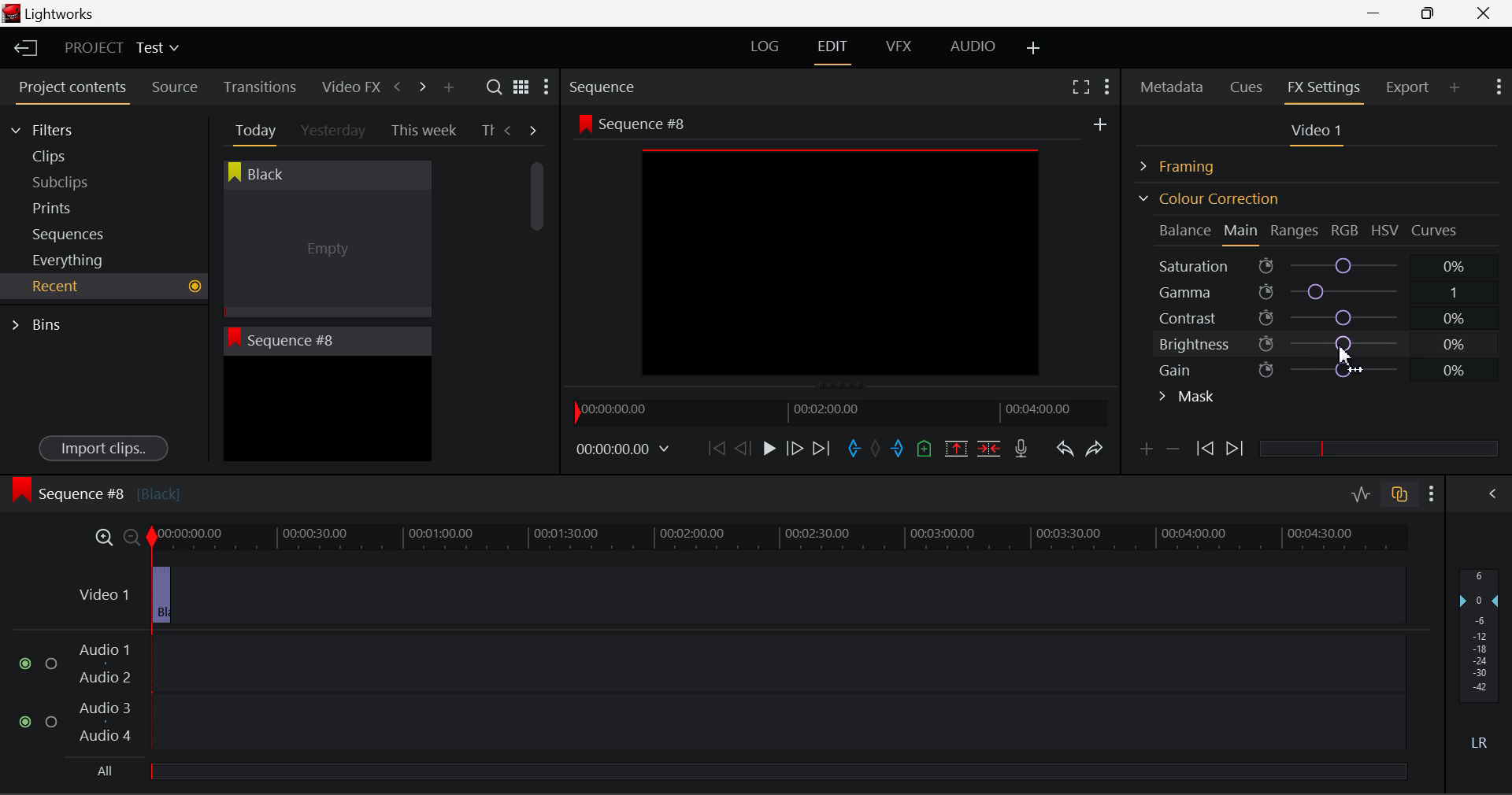  Describe the element at coordinates (838, 412) in the screenshot. I see `Project Timeline Navigator` at that location.